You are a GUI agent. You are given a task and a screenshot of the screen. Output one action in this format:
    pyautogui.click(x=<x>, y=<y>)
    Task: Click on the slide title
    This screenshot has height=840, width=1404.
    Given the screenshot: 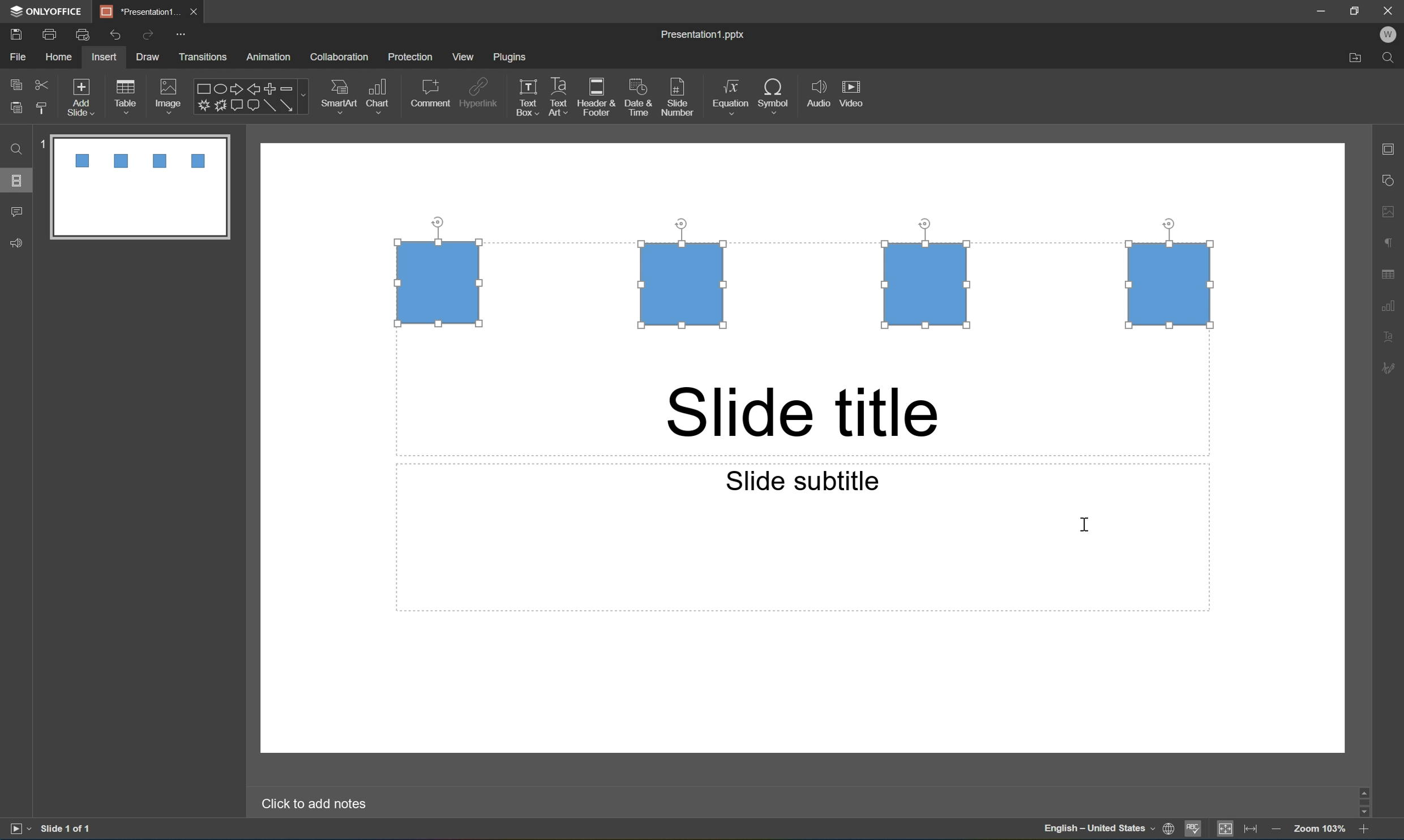 What is the action you would take?
    pyautogui.click(x=803, y=413)
    